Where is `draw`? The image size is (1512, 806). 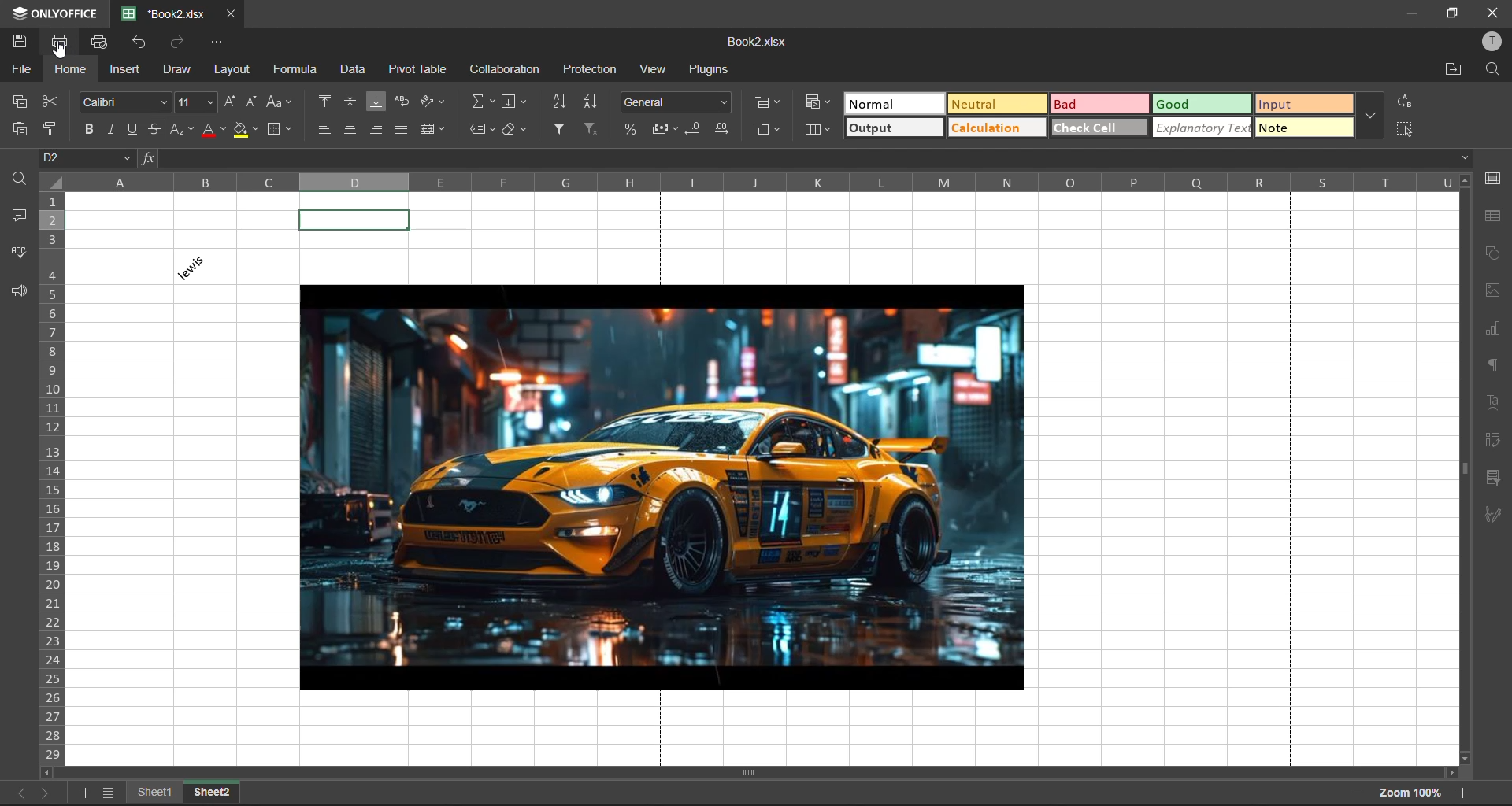 draw is located at coordinates (177, 70).